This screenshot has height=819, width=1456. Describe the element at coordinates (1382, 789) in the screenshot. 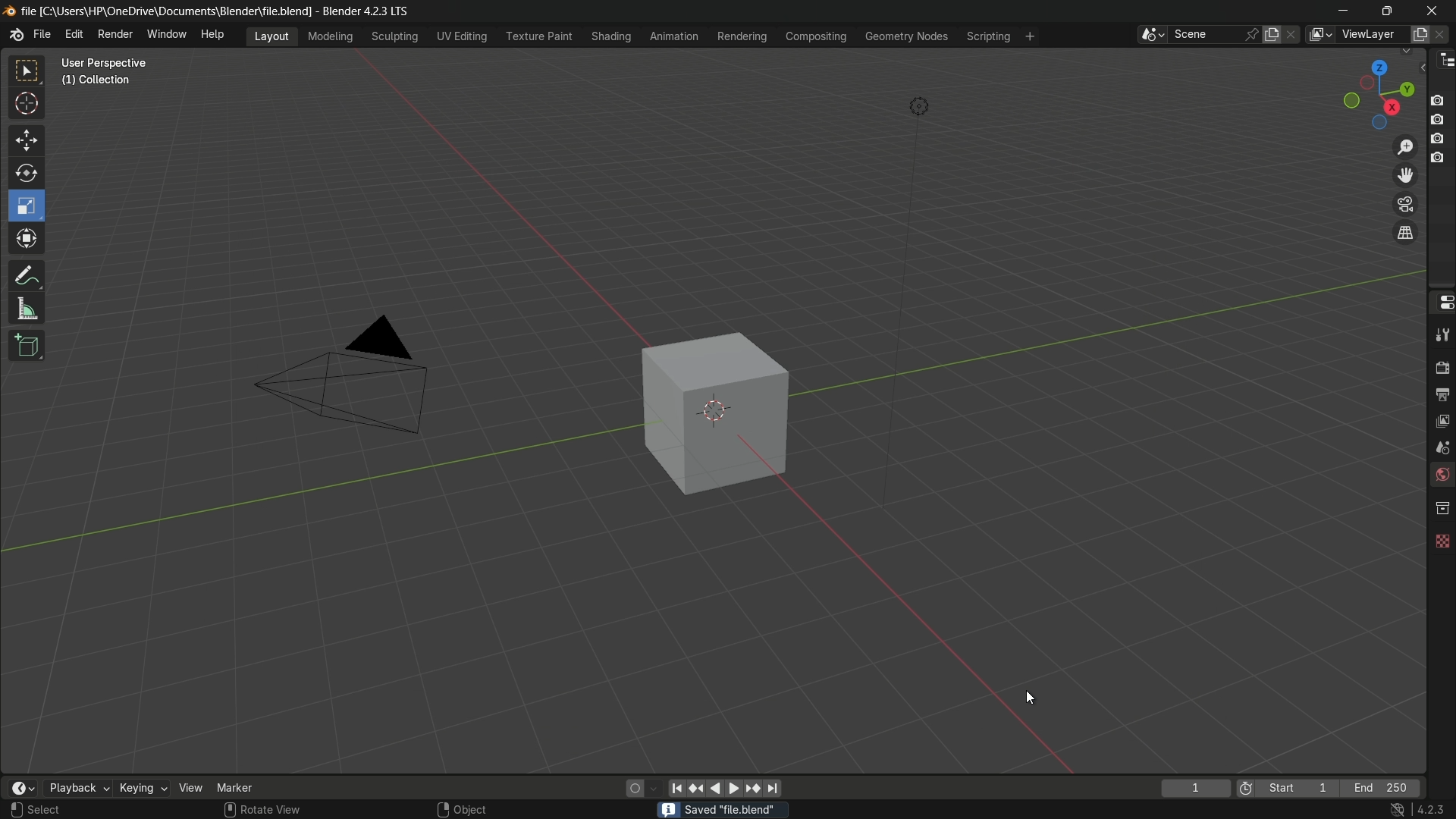

I see `final frame of the playback` at that location.